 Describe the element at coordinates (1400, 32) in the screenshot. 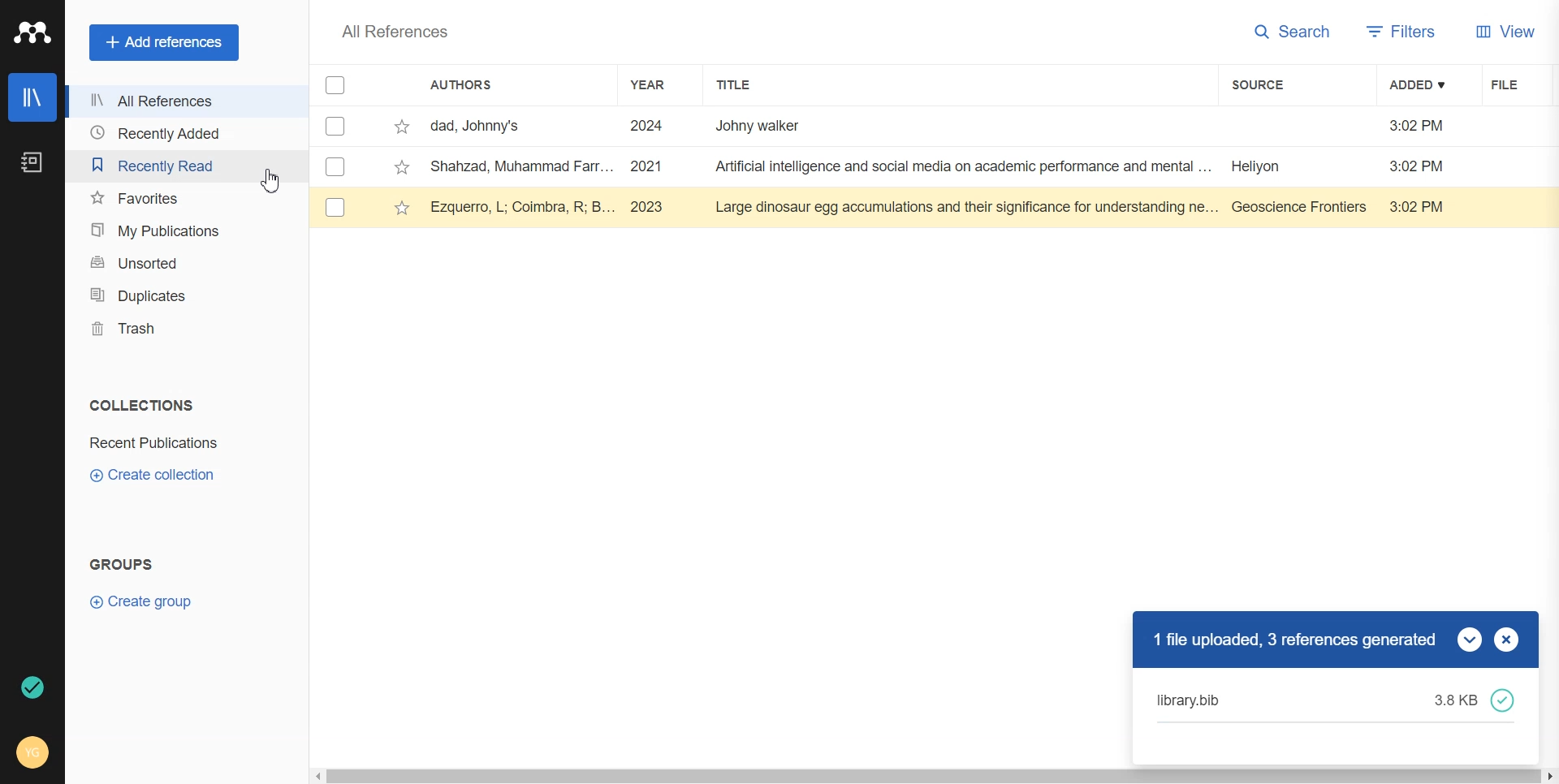

I see `Filters` at that location.